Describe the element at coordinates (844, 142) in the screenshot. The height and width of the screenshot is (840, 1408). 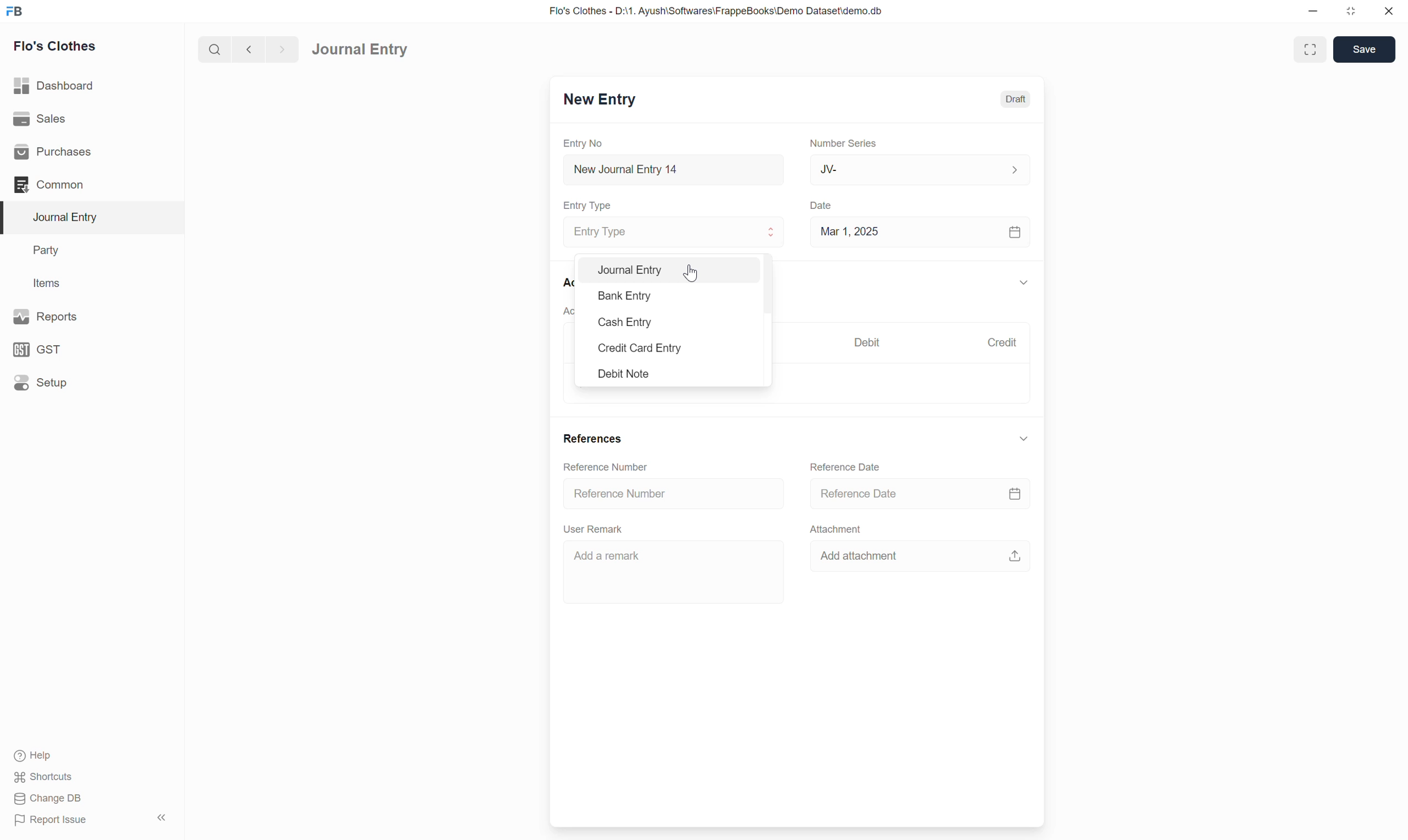
I see `Number Series` at that location.